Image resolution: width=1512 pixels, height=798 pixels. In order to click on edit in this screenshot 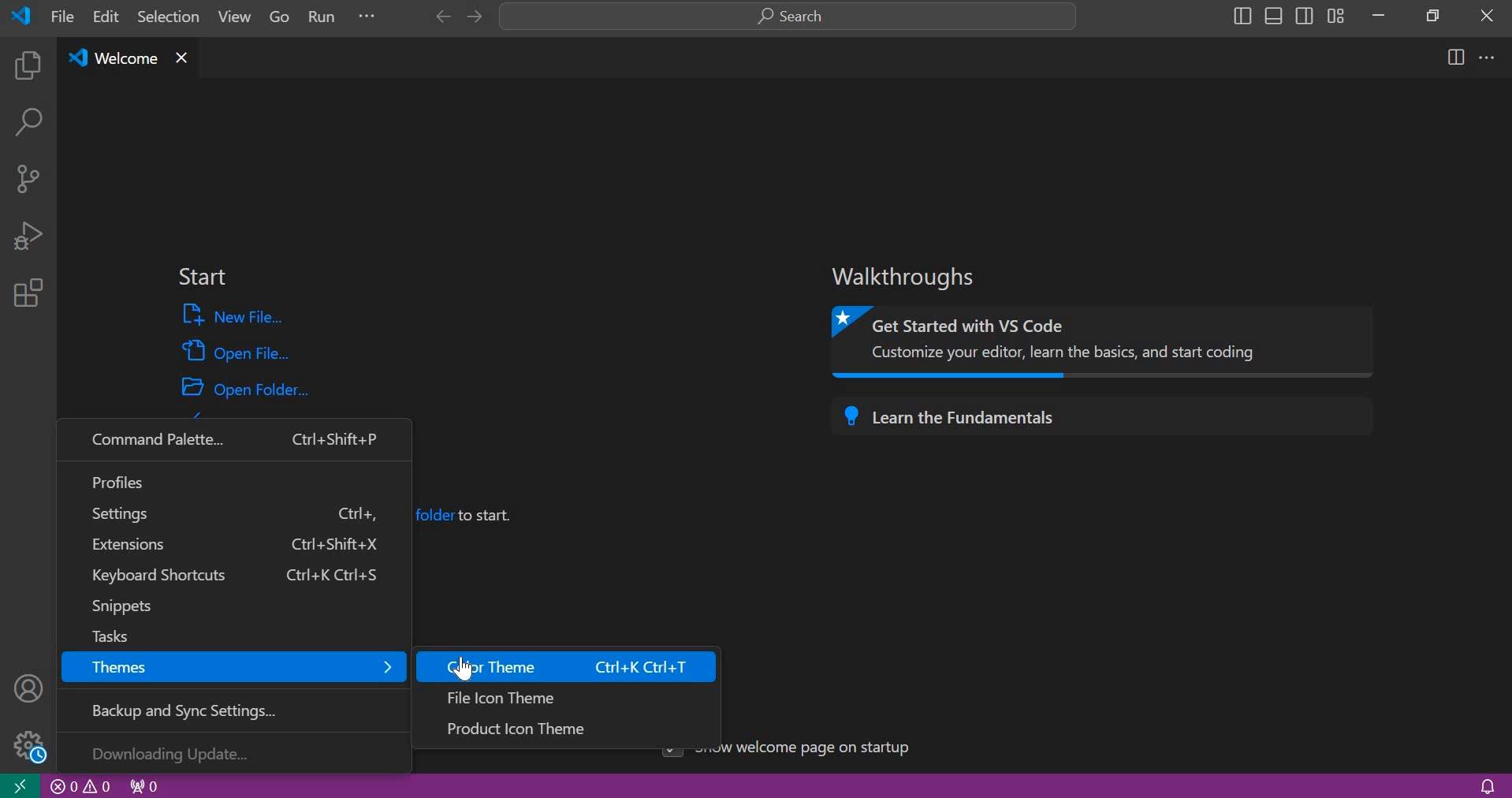, I will do `click(107, 17)`.